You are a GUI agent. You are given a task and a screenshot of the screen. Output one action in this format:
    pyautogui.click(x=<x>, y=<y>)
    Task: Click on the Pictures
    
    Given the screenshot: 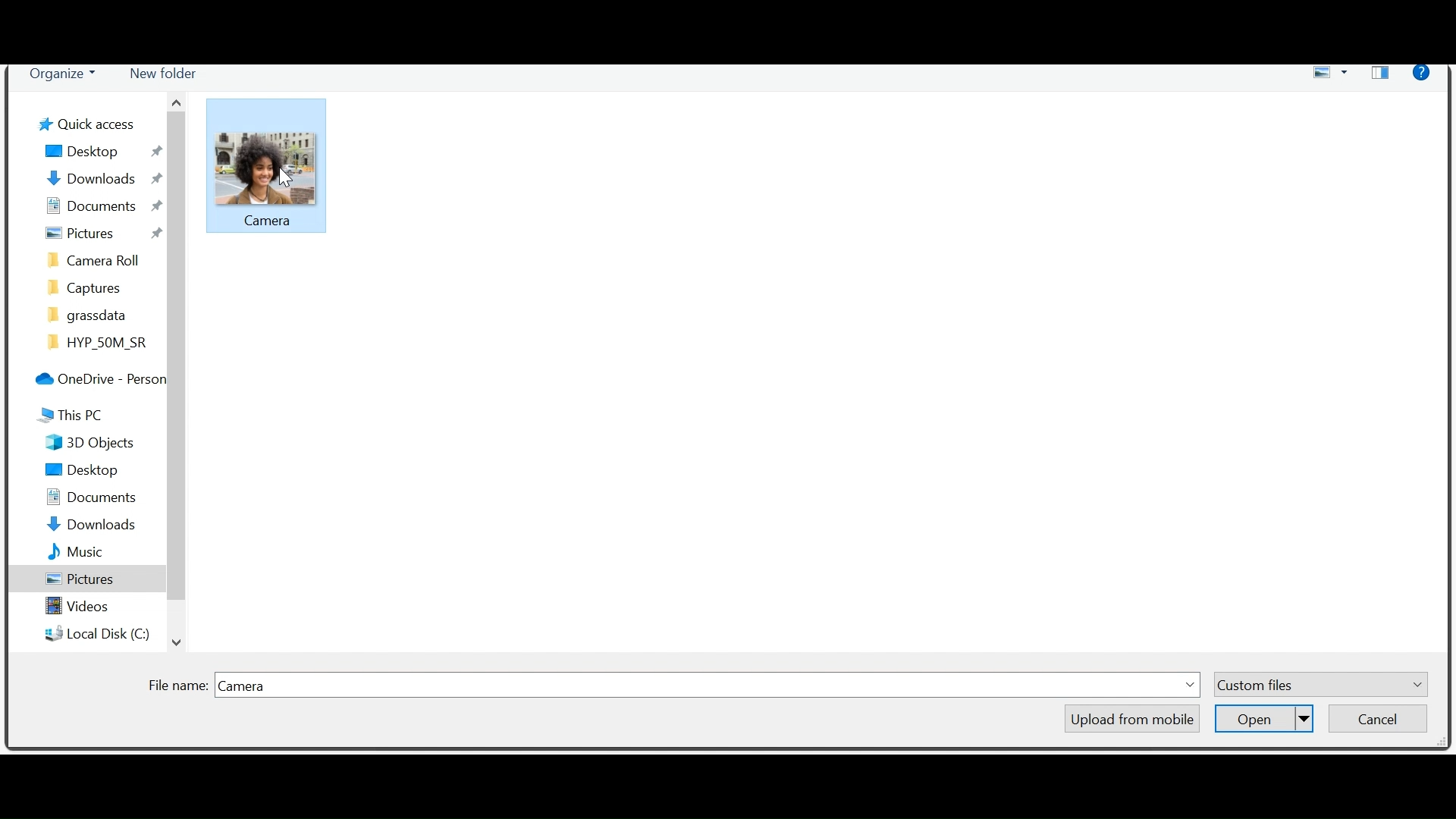 What is the action you would take?
    pyautogui.click(x=81, y=578)
    